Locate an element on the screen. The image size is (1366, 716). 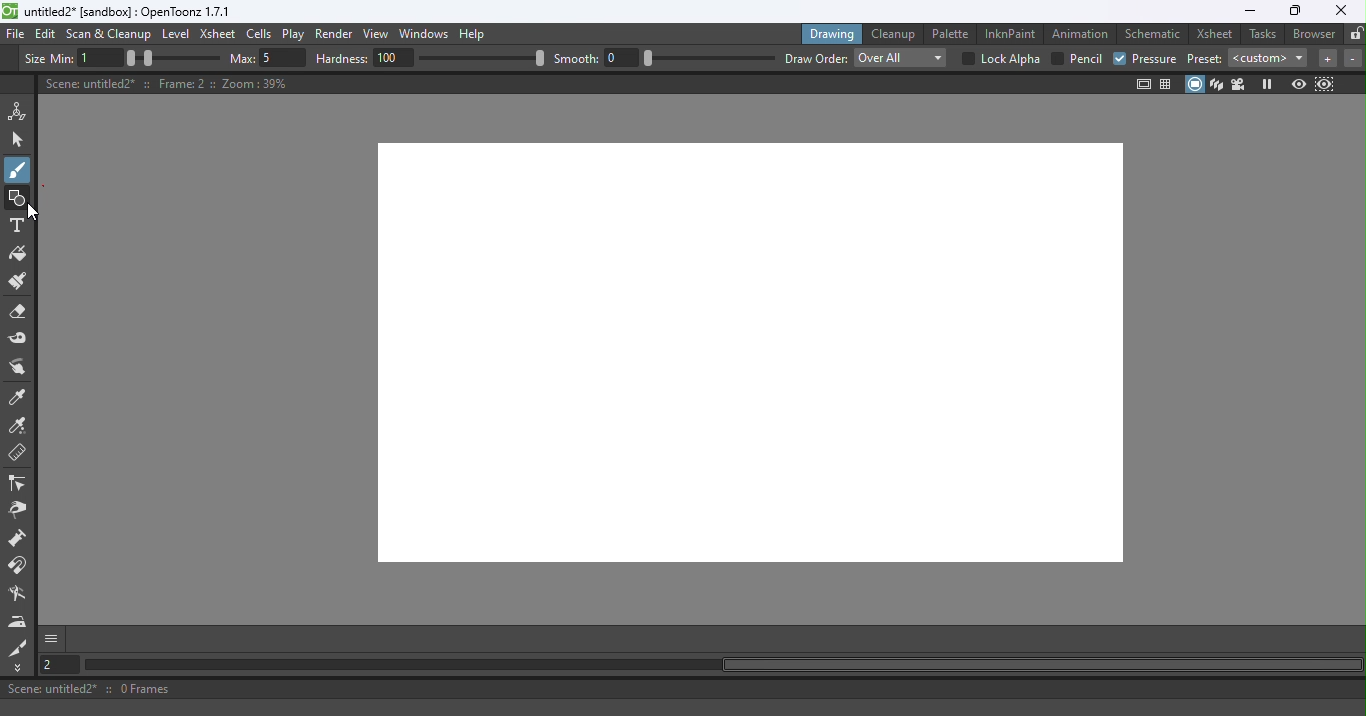
Tape tool is located at coordinates (21, 340).